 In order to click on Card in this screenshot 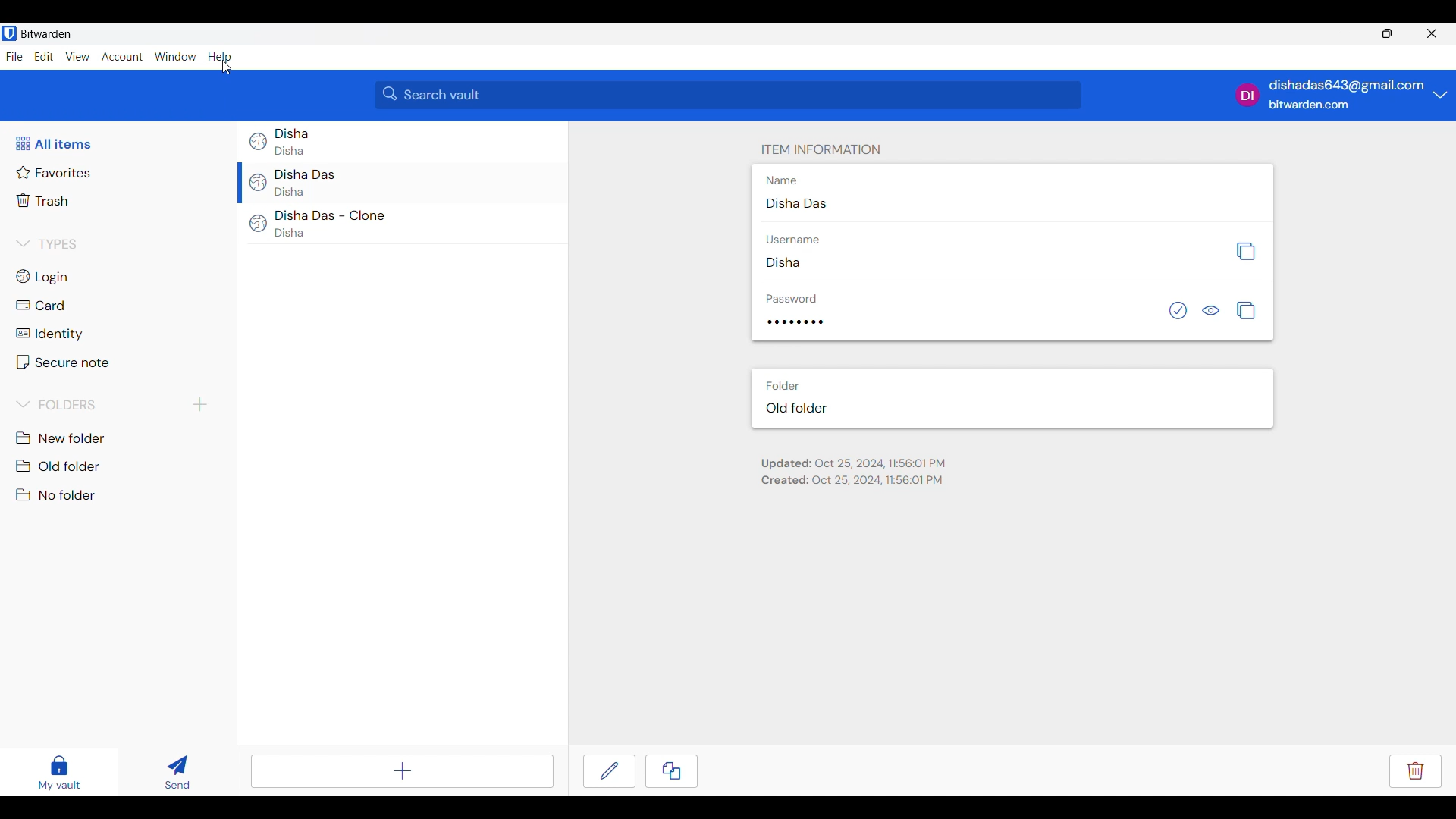, I will do `click(42, 305)`.